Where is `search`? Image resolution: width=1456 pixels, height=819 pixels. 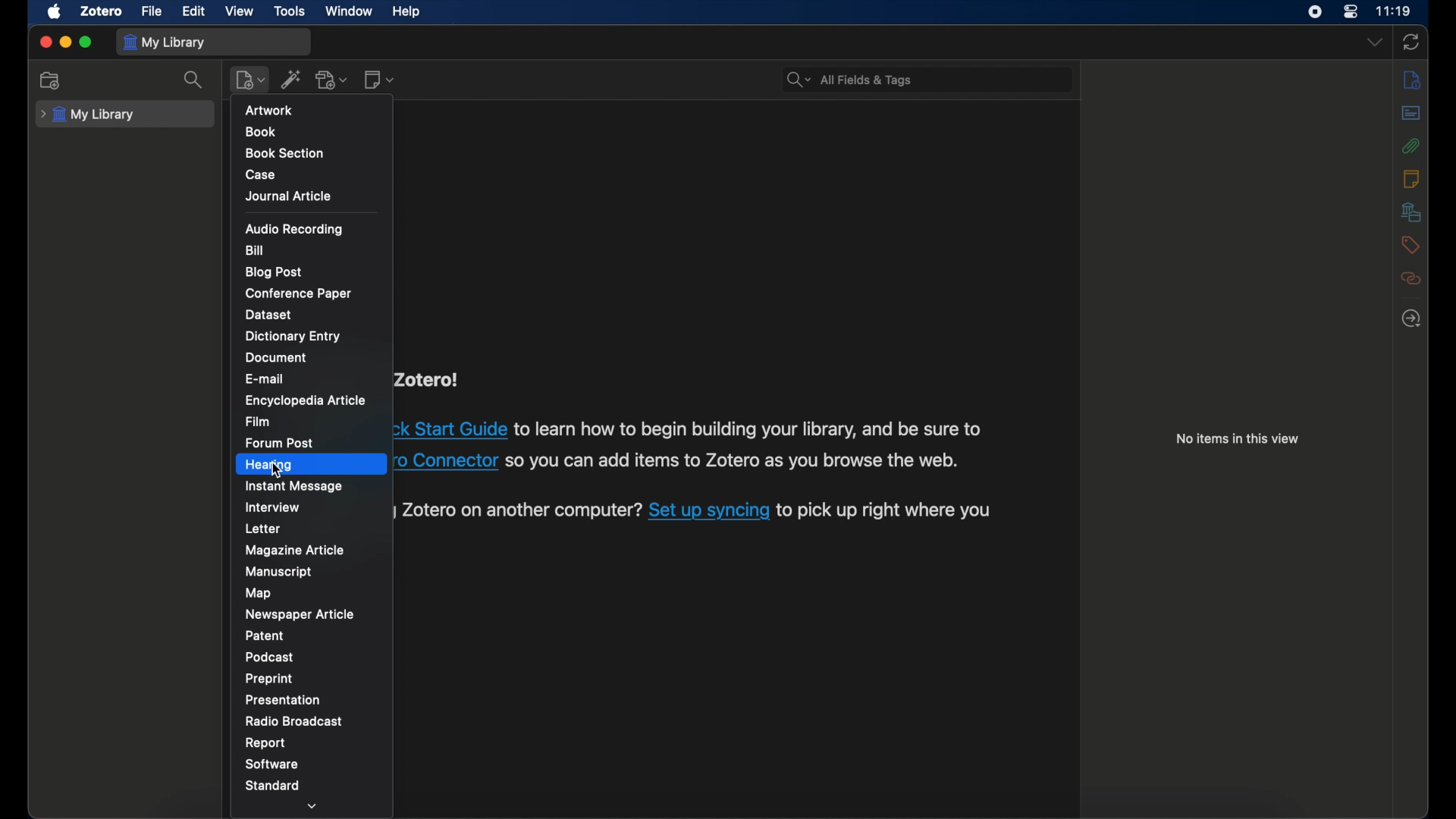 search is located at coordinates (196, 80).